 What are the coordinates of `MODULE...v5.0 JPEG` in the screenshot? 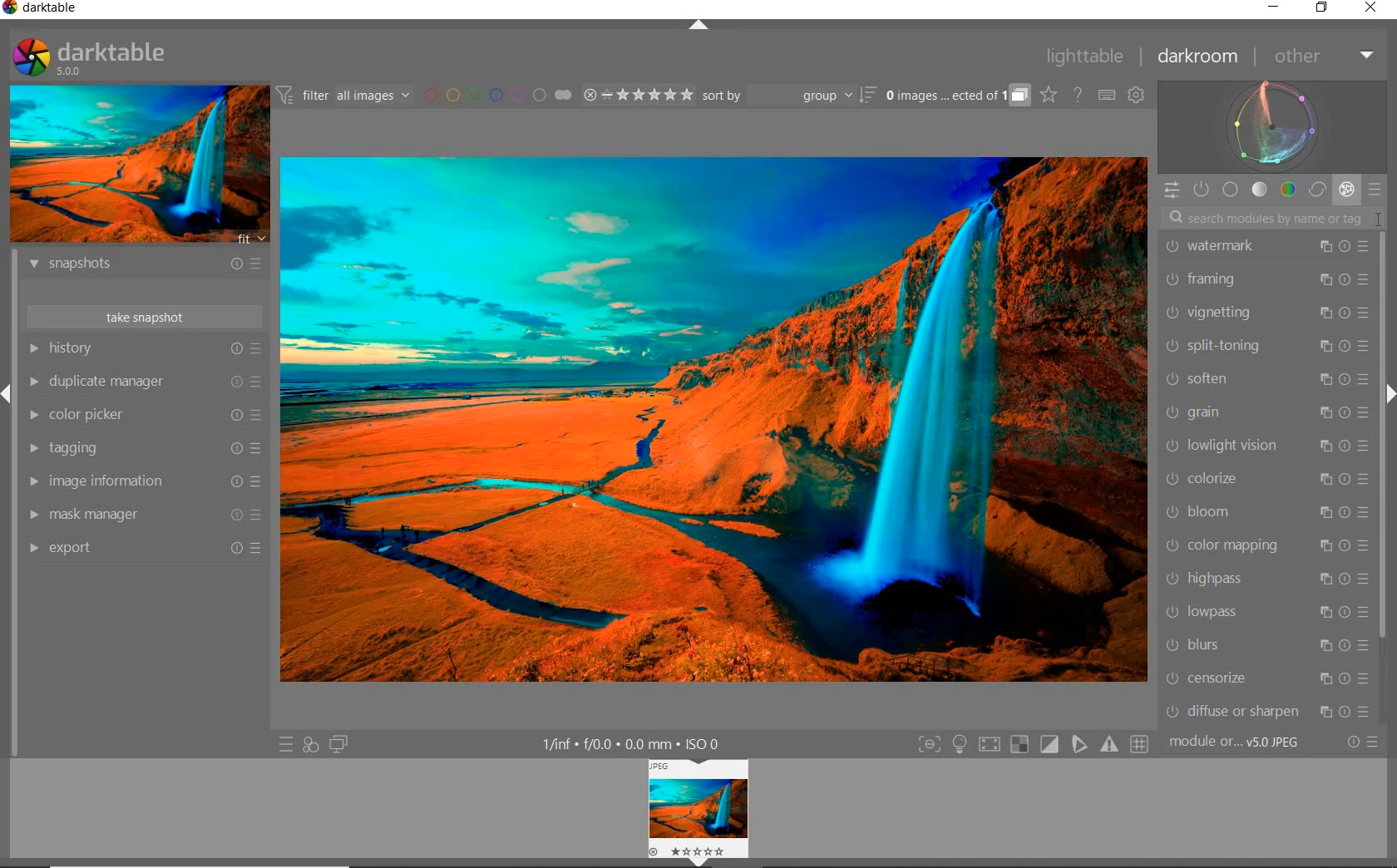 It's located at (1239, 743).